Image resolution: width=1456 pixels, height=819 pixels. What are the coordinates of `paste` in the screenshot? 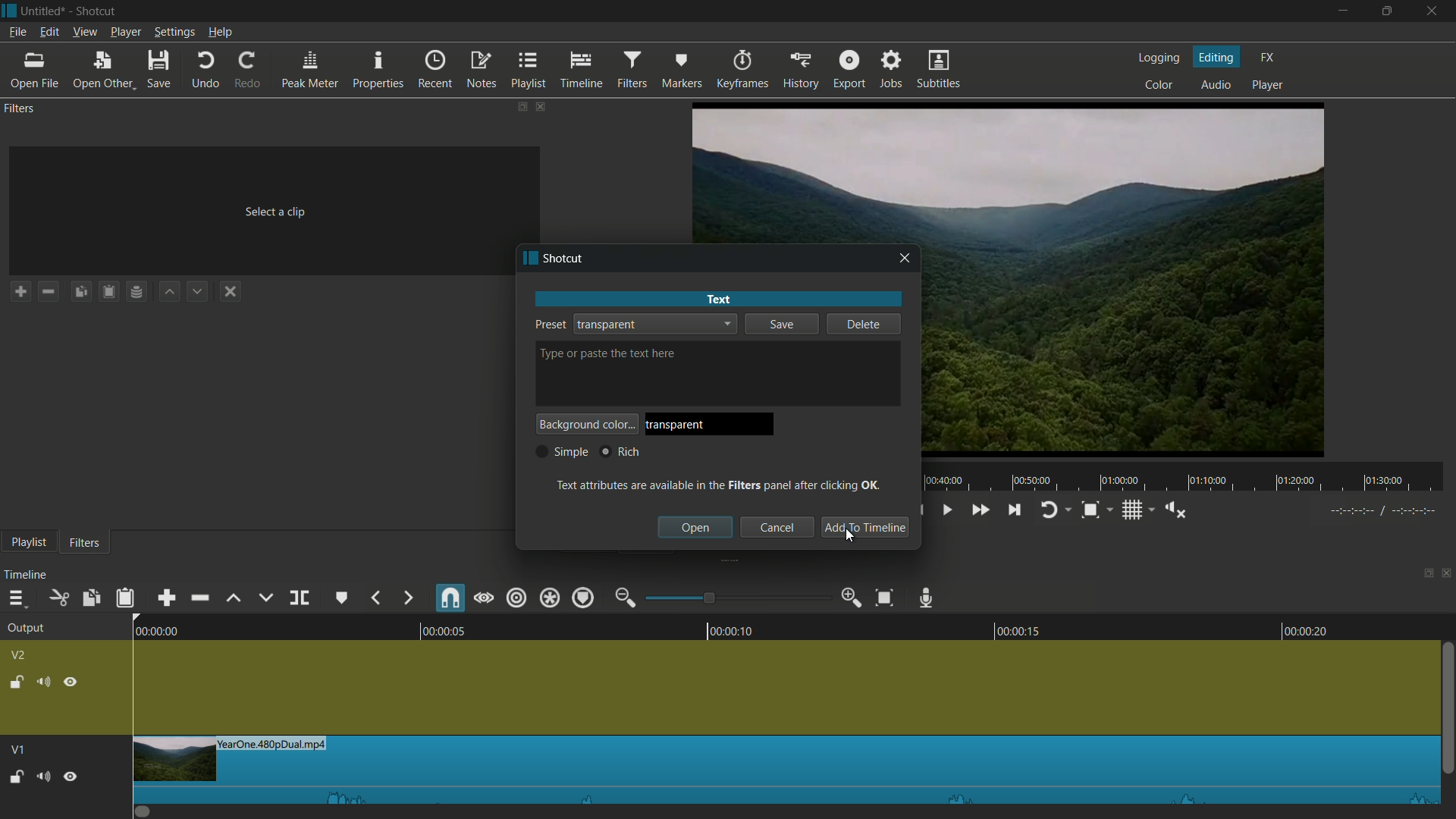 It's located at (124, 597).